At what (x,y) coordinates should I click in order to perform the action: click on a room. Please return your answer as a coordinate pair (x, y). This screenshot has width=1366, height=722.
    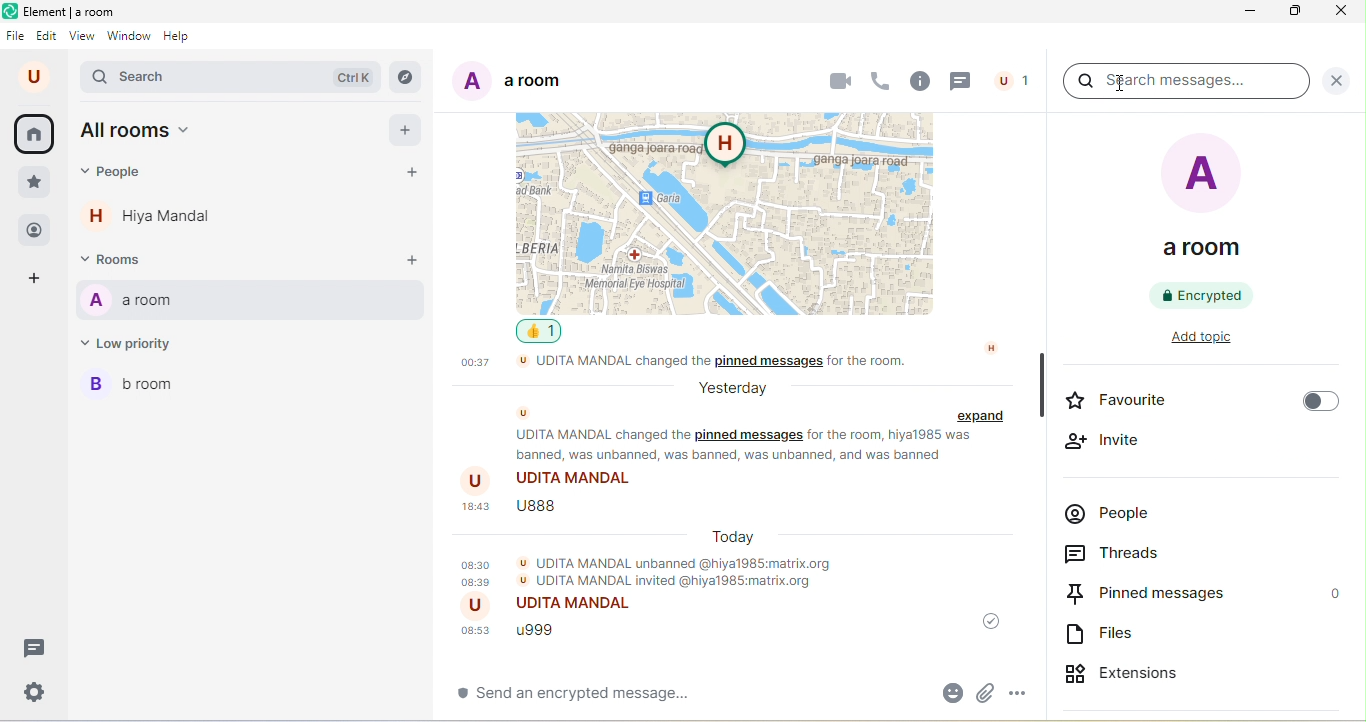
    Looking at the image, I should click on (508, 85).